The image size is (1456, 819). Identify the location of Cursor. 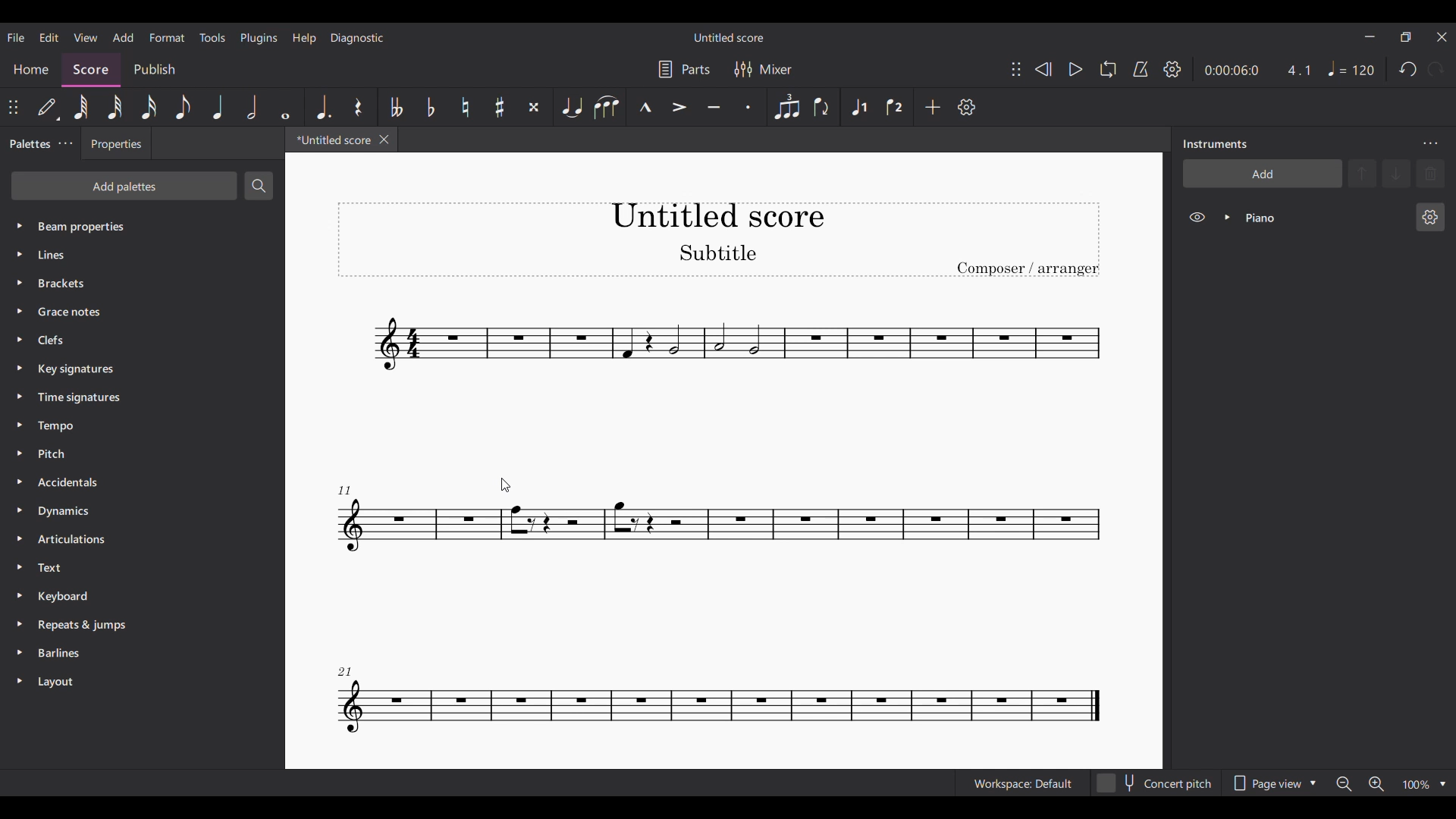
(504, 485).